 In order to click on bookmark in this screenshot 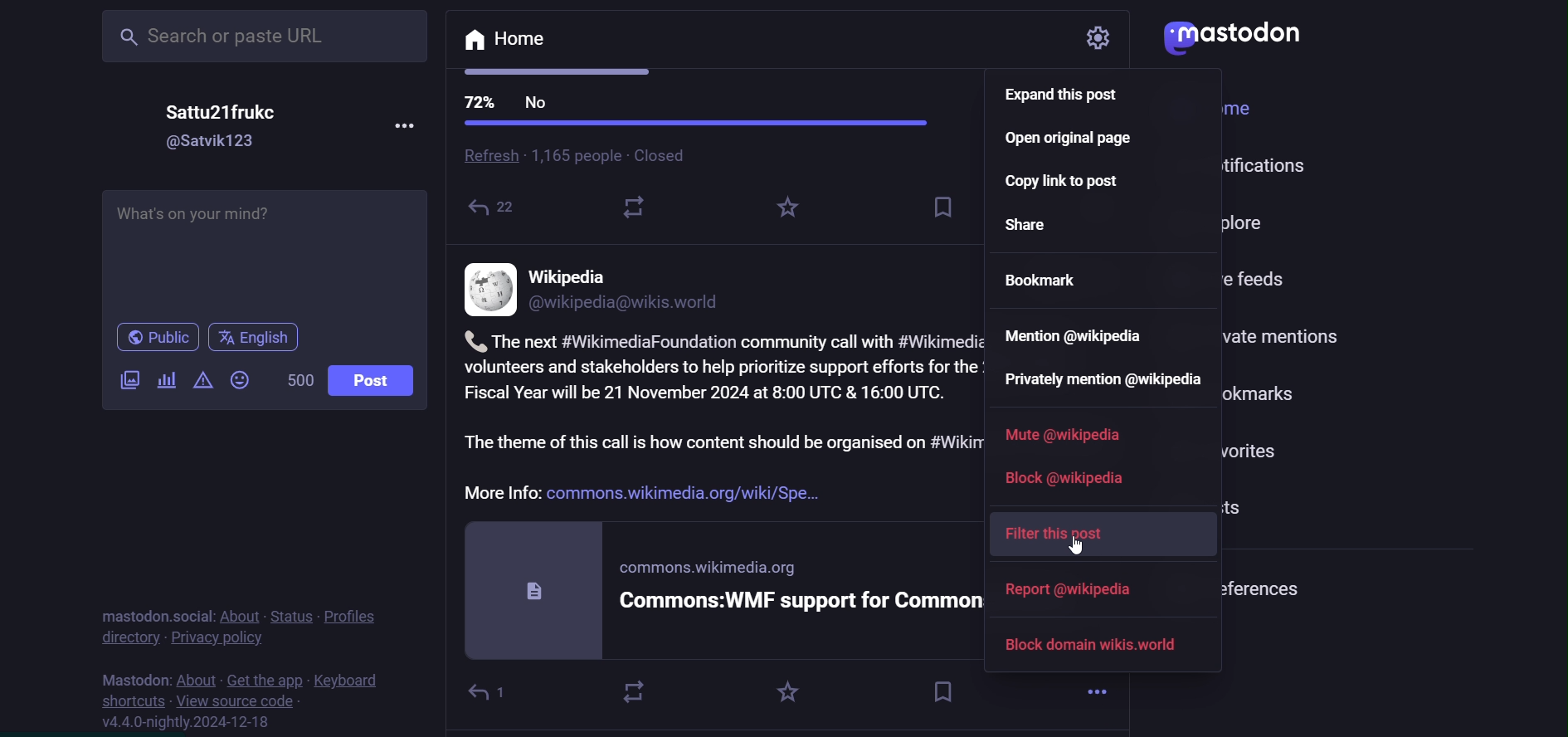, I will do `click(942, 691)`.